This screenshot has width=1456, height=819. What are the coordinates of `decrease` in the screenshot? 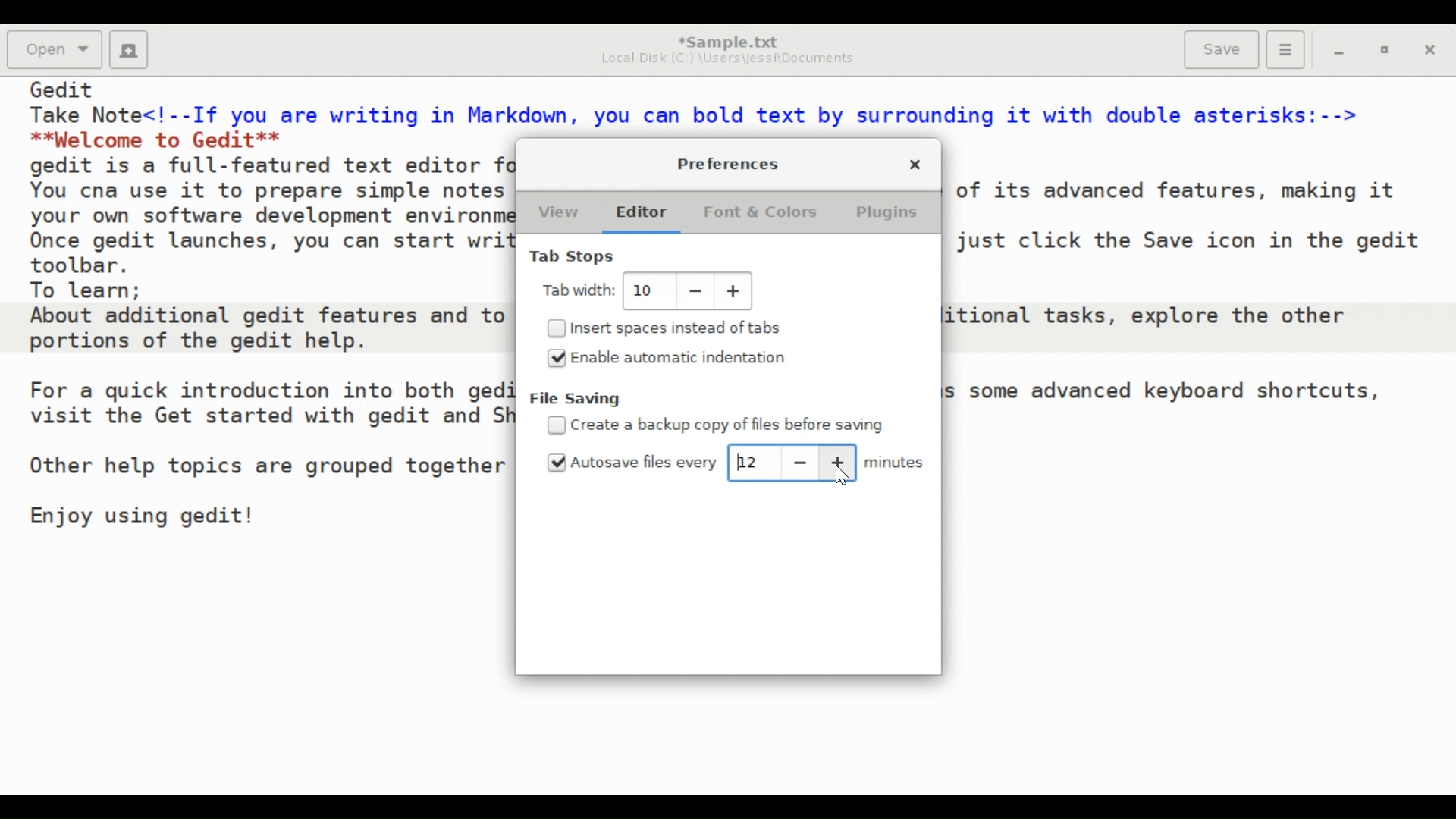 It's located at (695, 291).